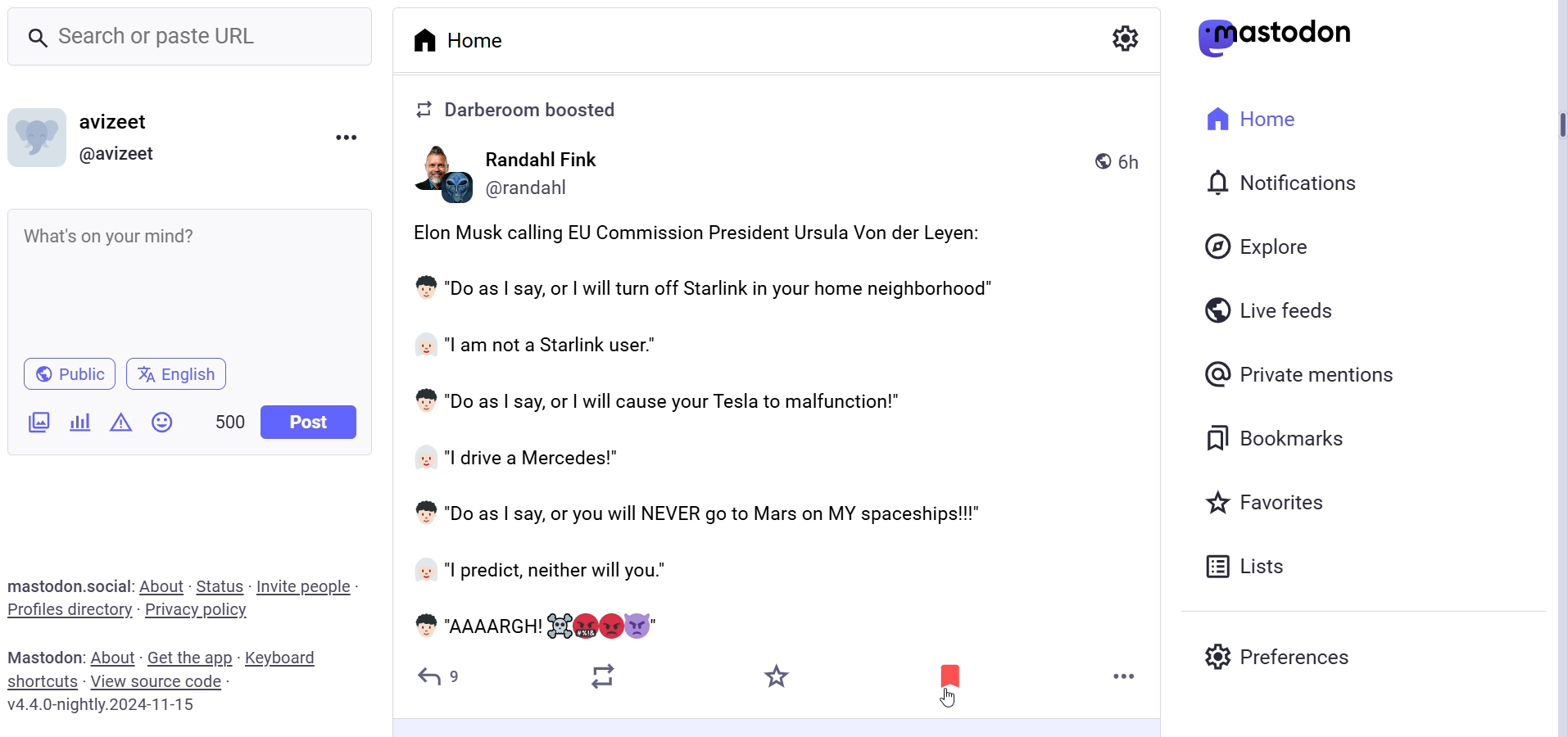 This screenshot has width=1568, height=737. Describe the element at coordinates (528, 110) in the screenshot. I see `2 Darberoom boosted` at that location.